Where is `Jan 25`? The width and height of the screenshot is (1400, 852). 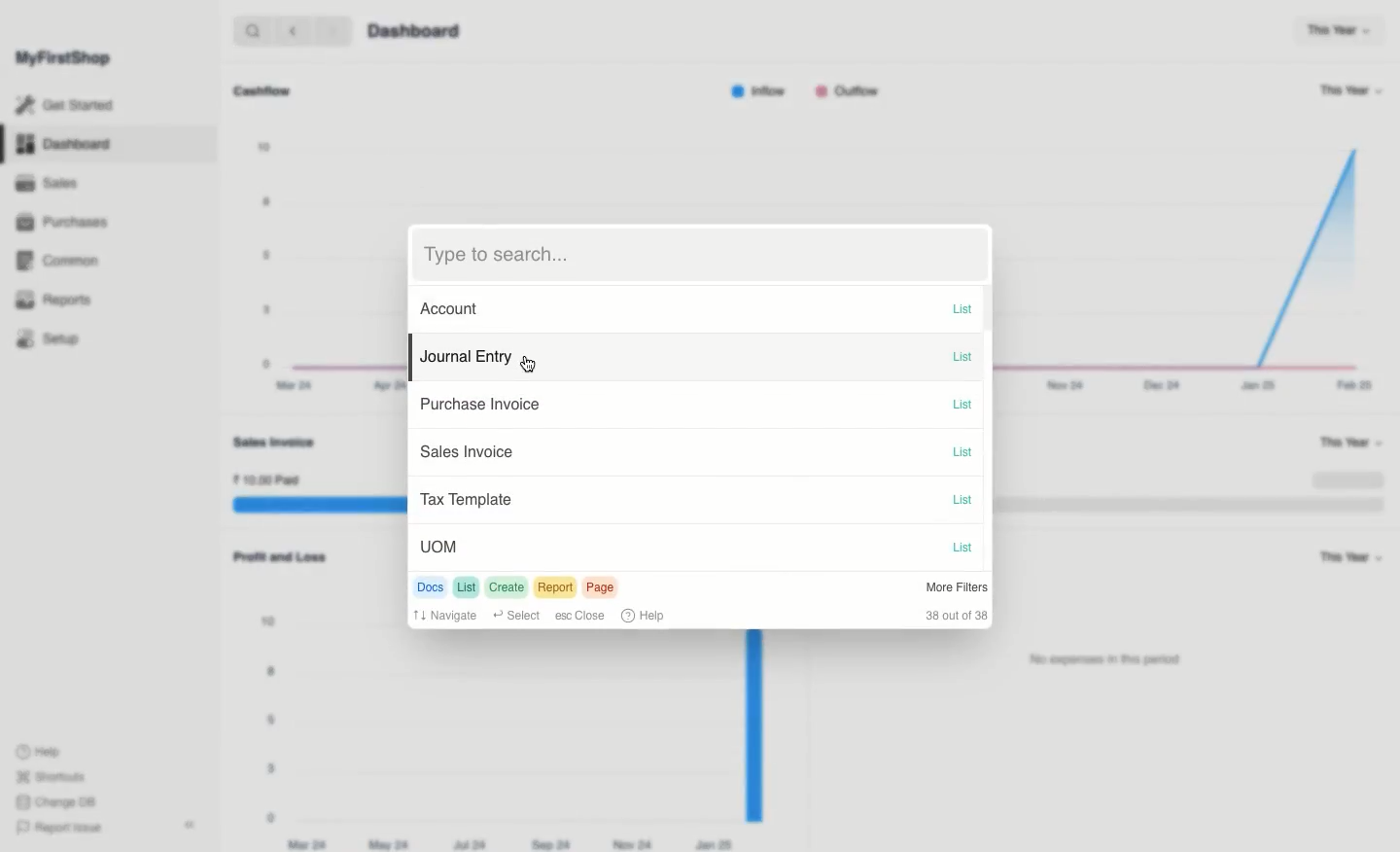
Jan 25 is located at coordinates (709, 842).